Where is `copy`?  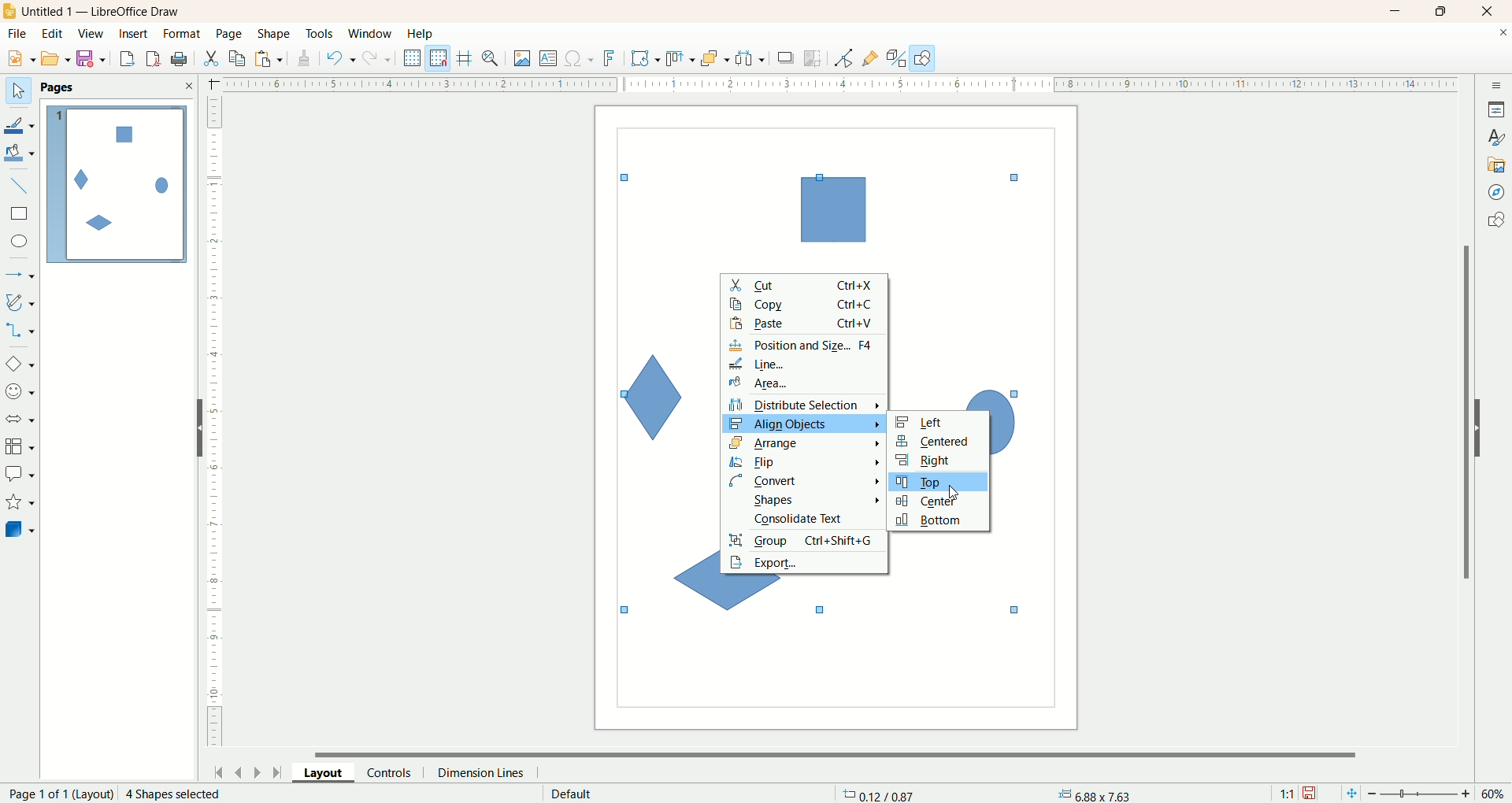
copy is located at coordinates (238, 58).